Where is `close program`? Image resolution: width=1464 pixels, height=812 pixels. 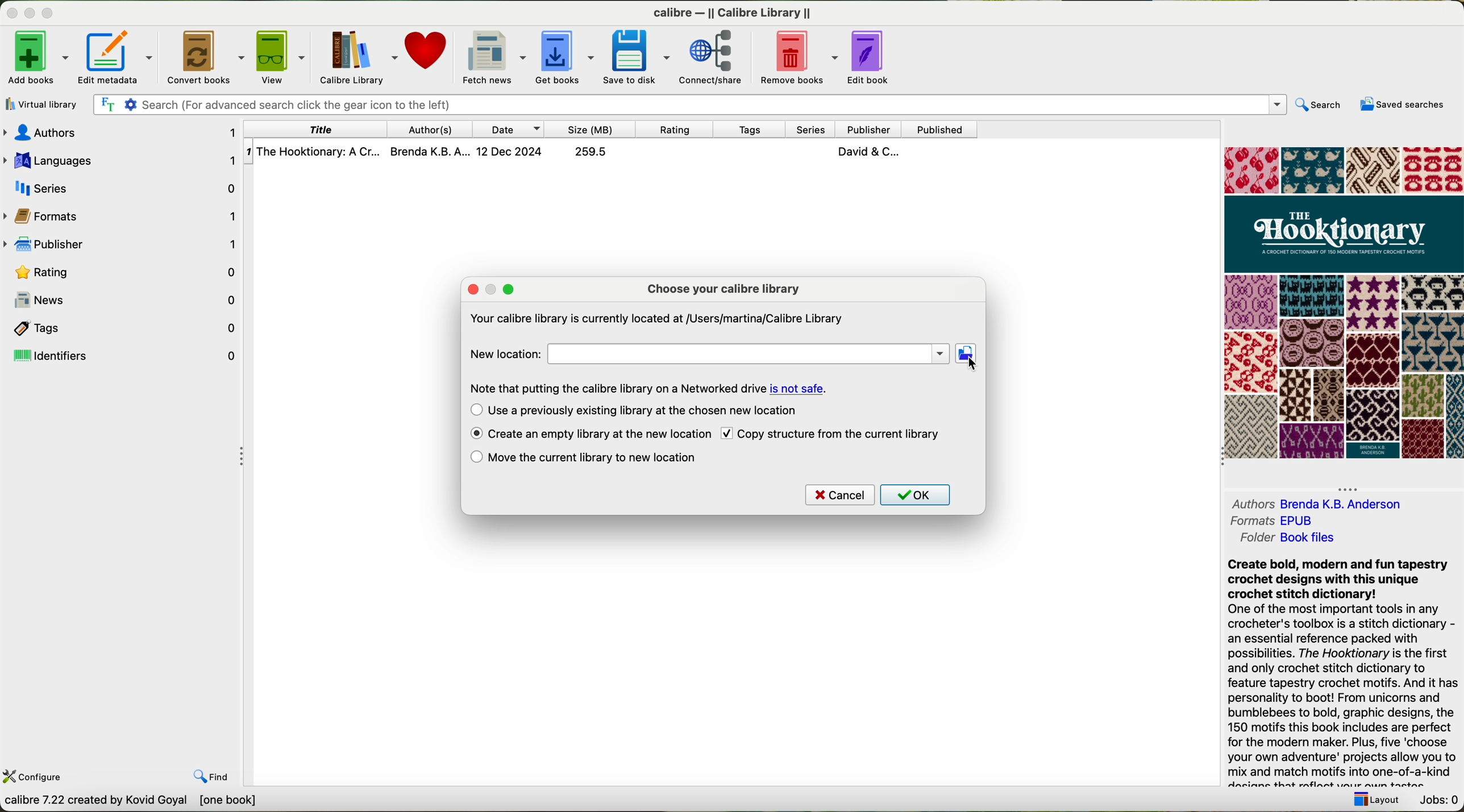
close program is located at coordinates (11, 13).